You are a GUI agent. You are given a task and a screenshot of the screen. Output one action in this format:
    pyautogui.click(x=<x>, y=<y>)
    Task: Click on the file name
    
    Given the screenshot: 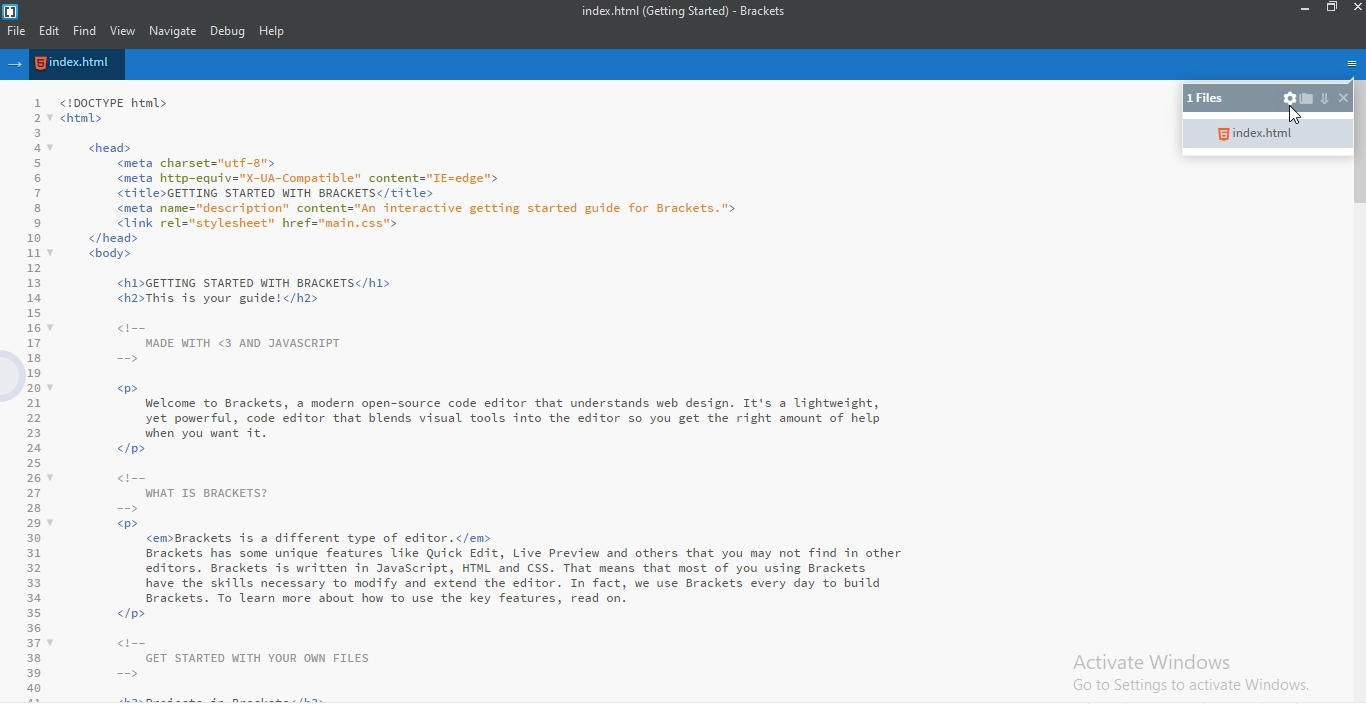 What is the action you would take?
    pyautogui.click(x=77, y=63)
    